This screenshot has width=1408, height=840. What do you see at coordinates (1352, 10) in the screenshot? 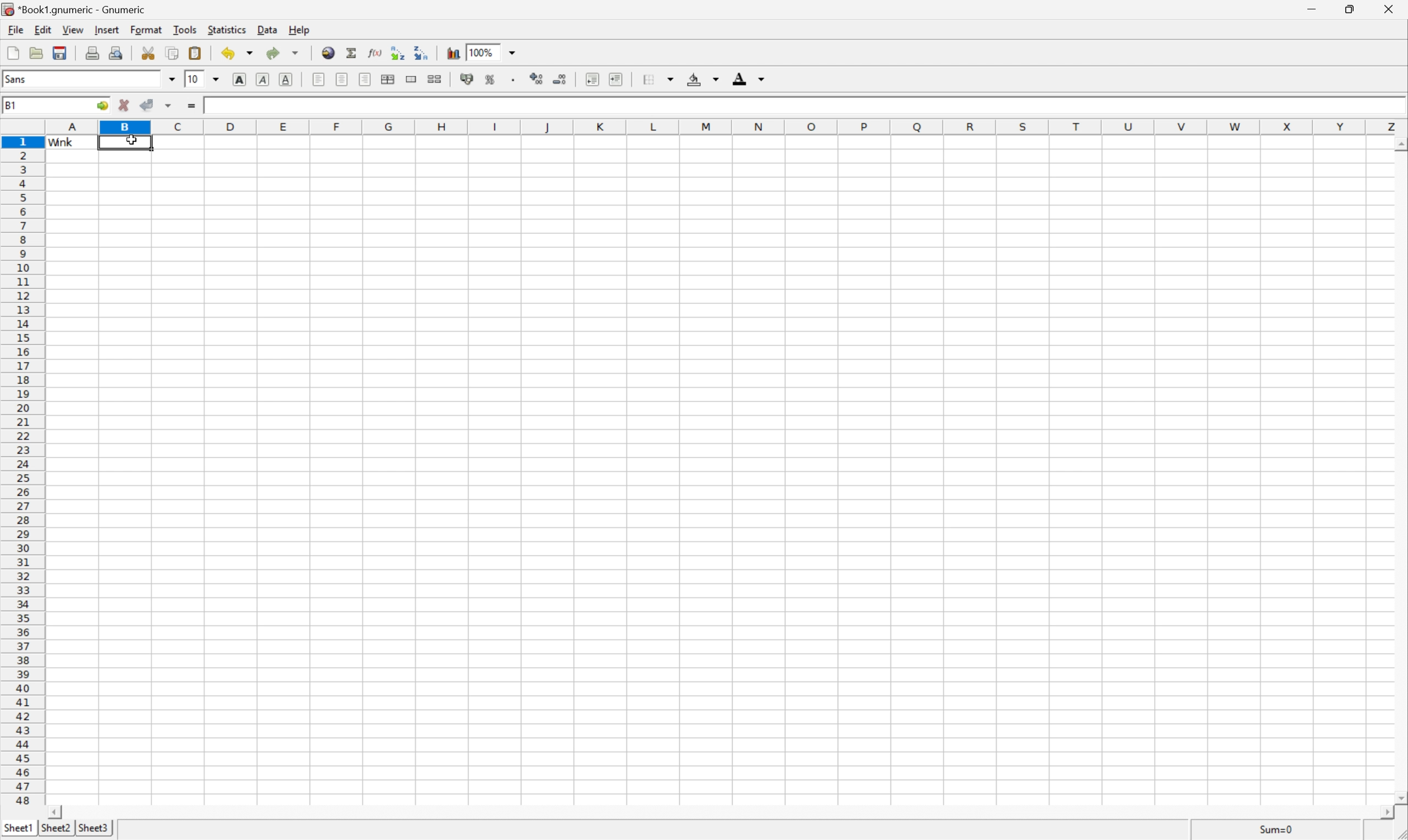
I see `restore down` at bounding box center [1352, 10].